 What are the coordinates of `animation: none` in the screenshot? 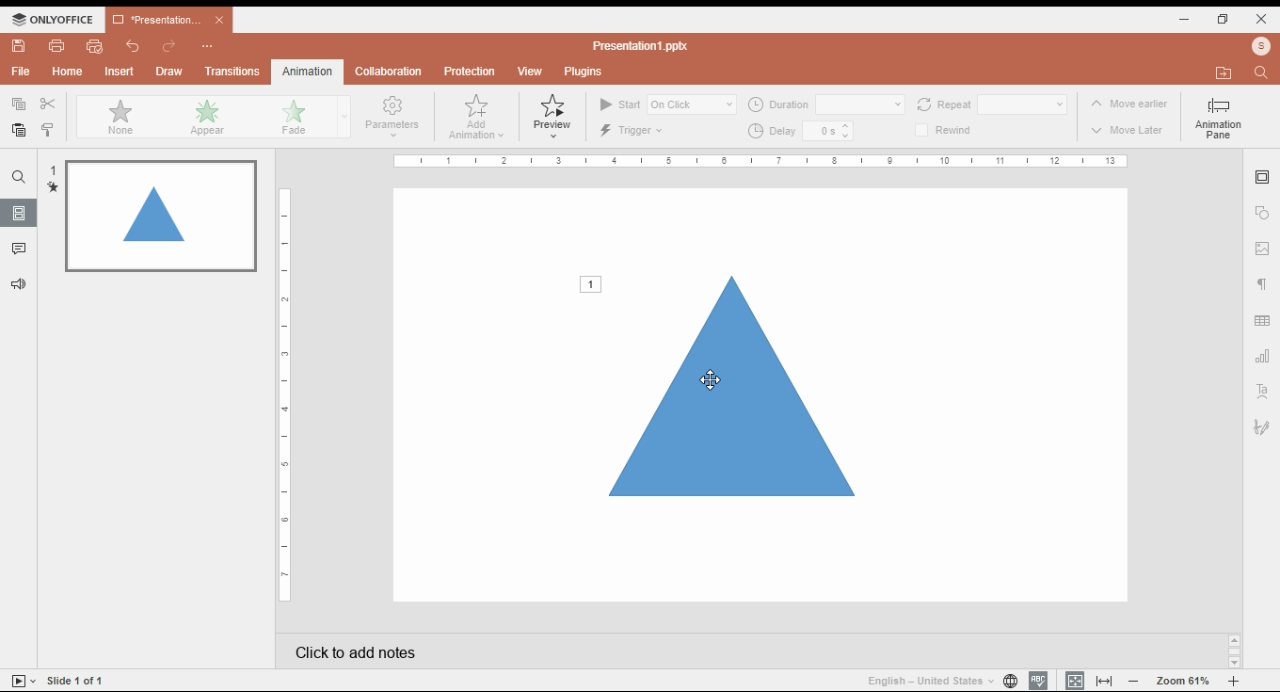 It's located at (119, 117).